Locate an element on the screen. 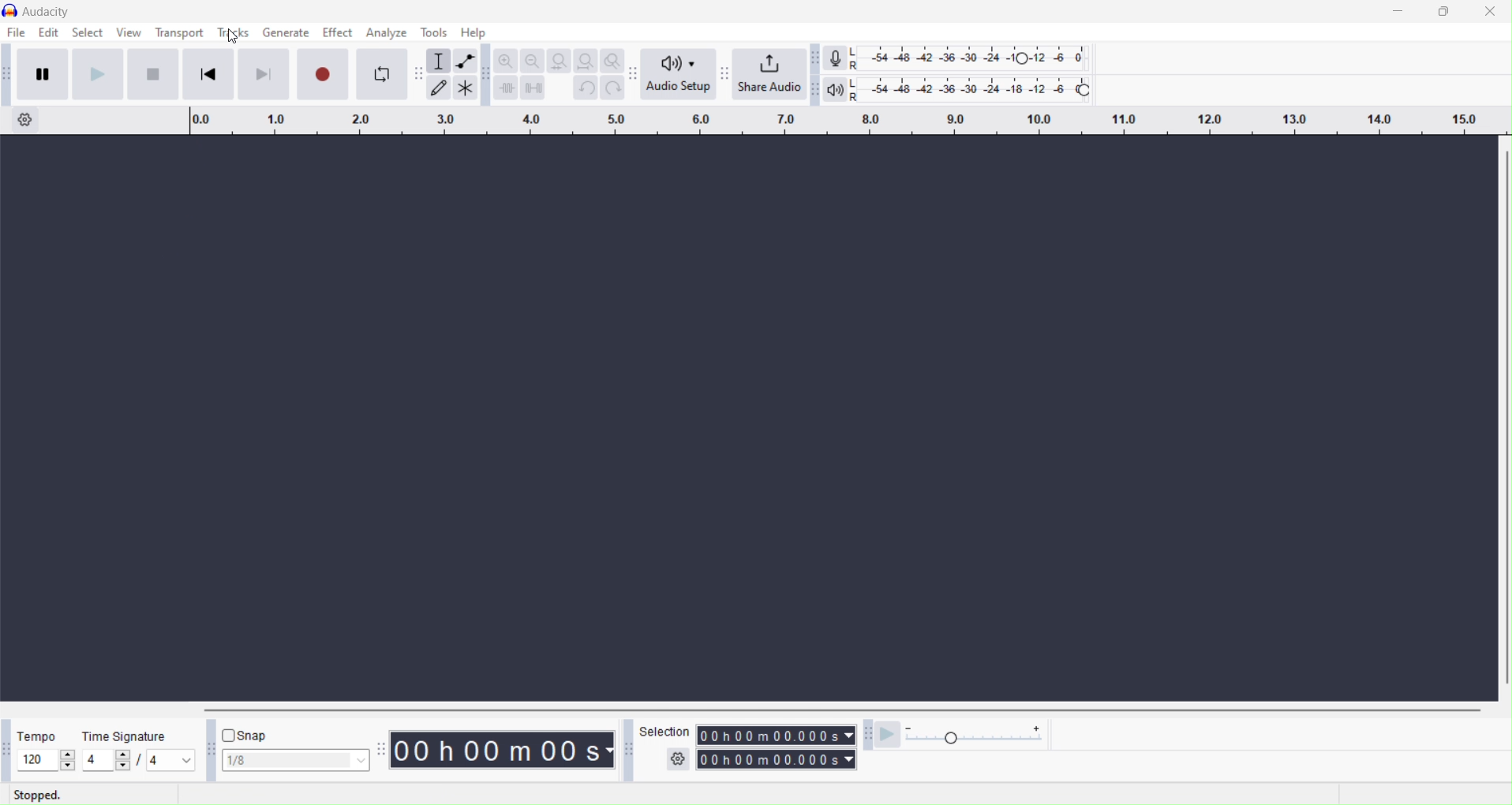  Horizontal scroll bar is located at coordinates (1503, 418).